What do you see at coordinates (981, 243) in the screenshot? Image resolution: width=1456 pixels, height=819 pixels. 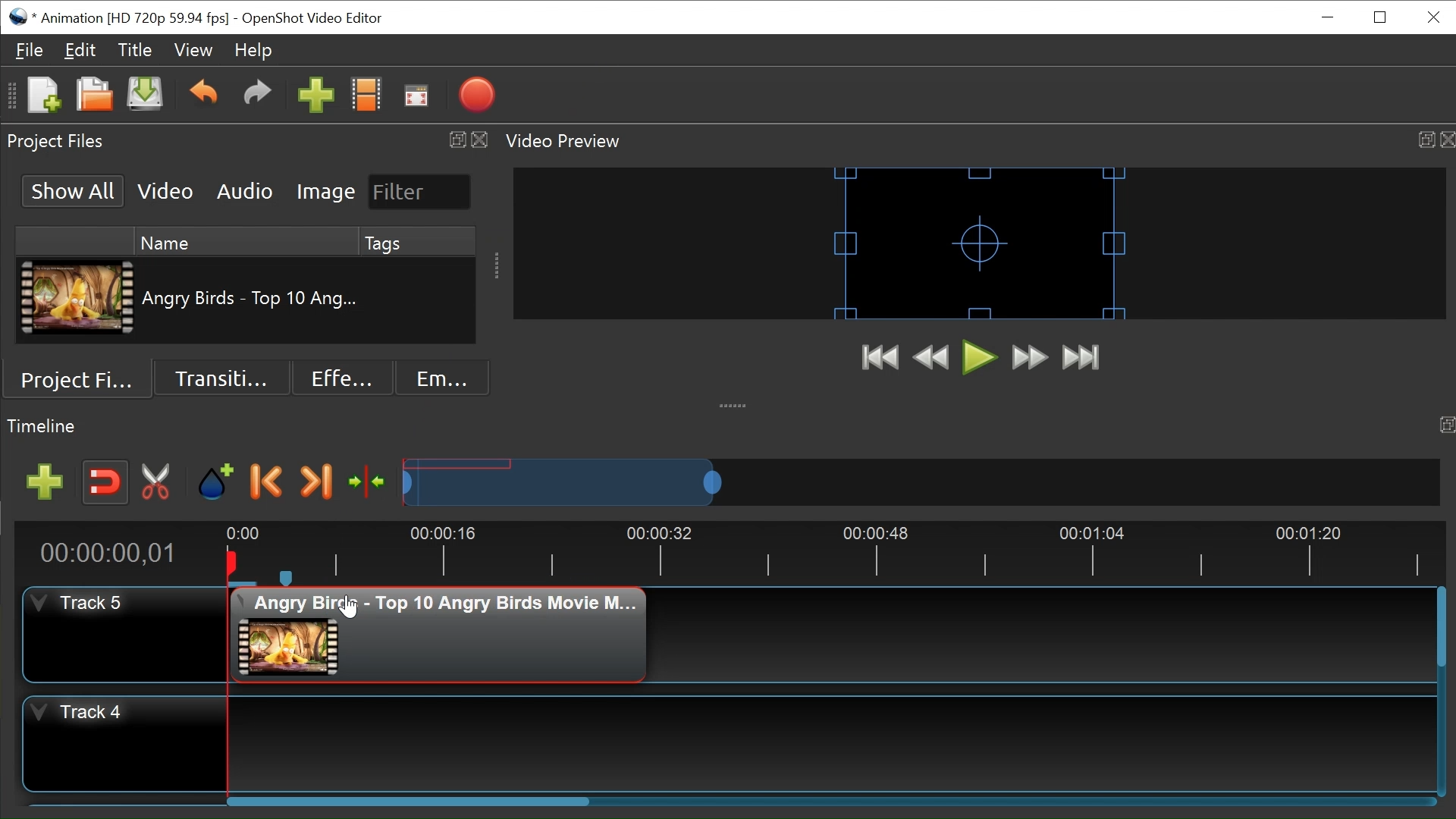 I see `Preview Window` at bounding box center [981, 243].